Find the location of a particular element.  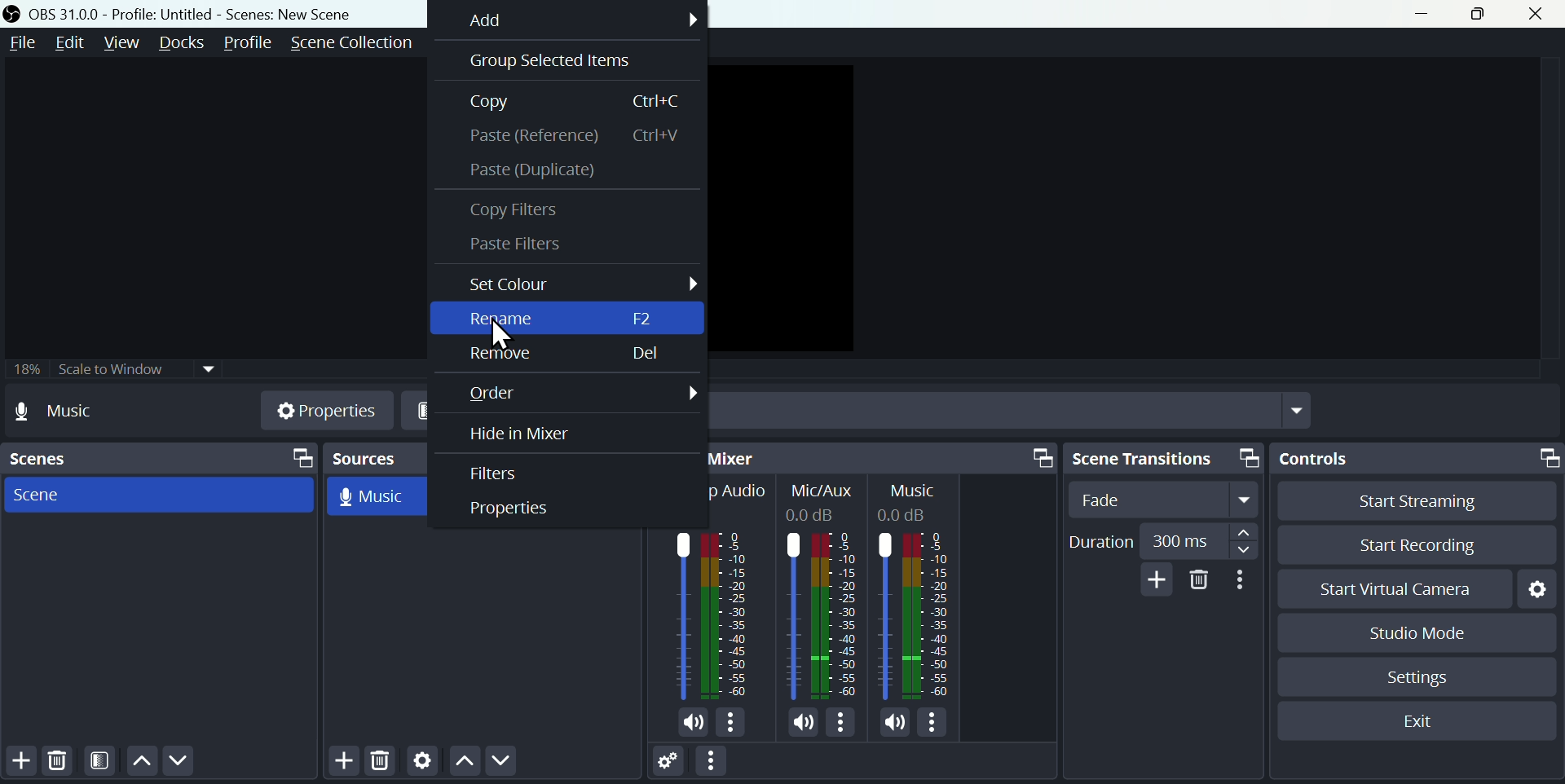

Add is located at coordinates (342, 763).